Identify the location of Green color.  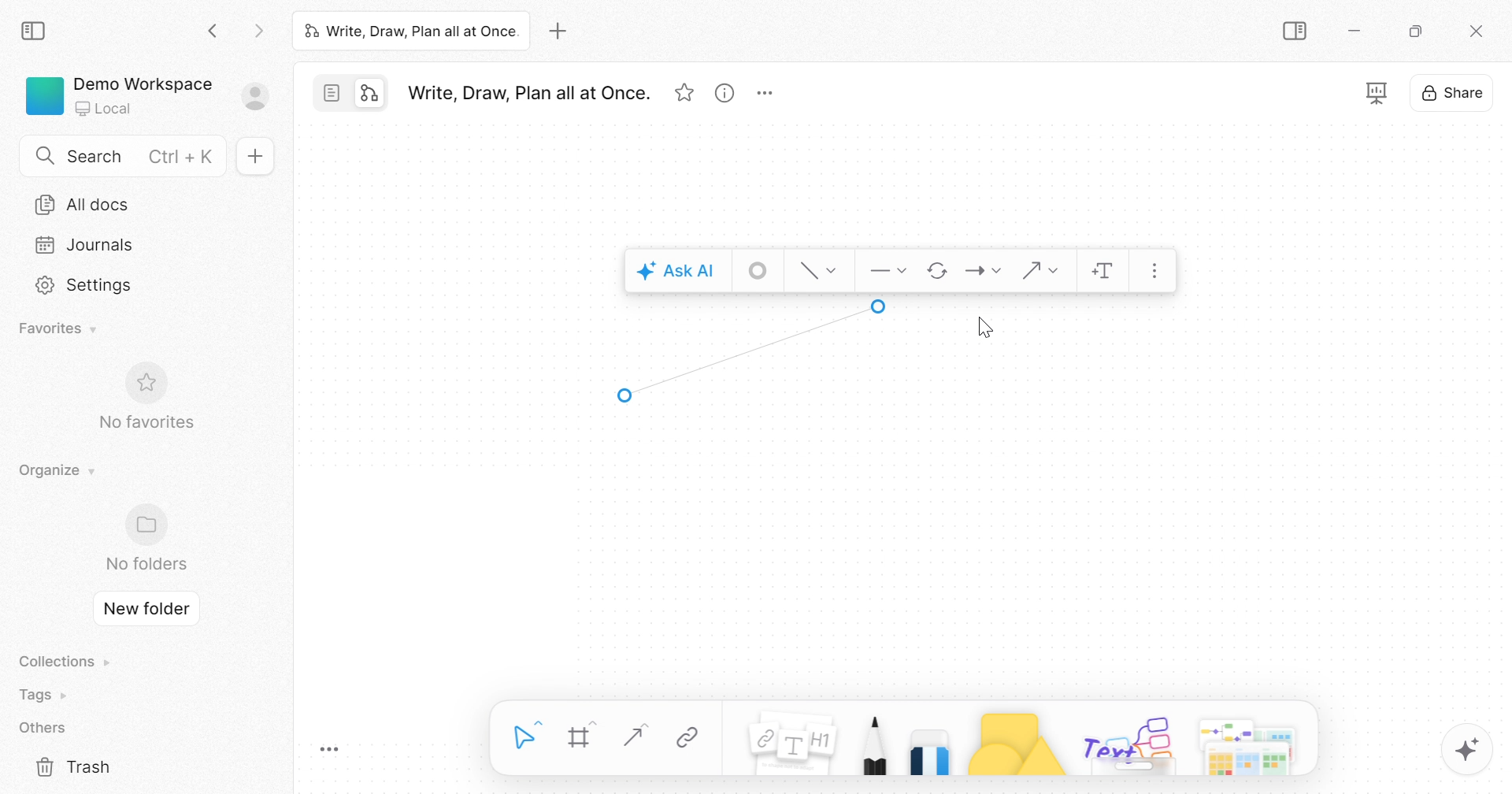
(45, 95).